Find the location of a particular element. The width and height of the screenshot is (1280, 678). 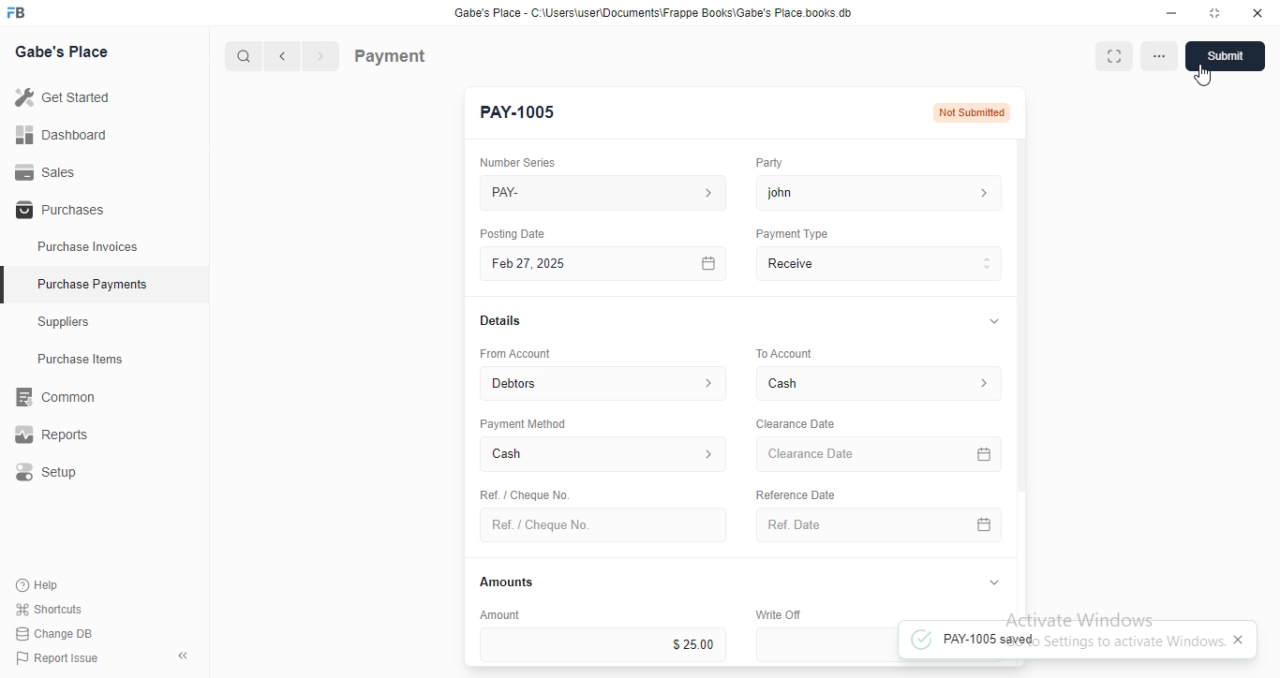

Amounts is located at coordinates (502, 582).